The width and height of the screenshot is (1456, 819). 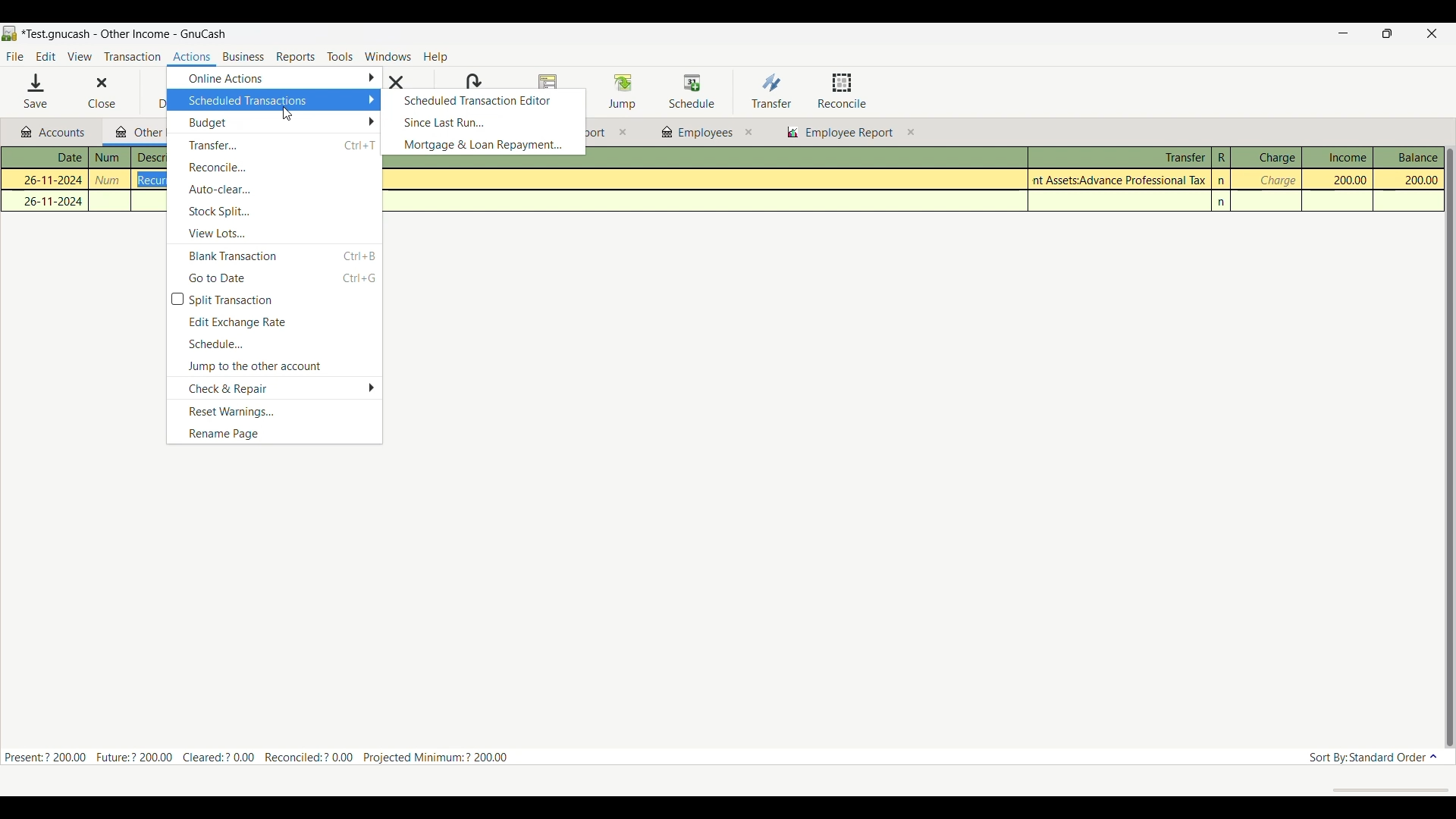 I want to click on Edit menu, so click(x=45, y=57).